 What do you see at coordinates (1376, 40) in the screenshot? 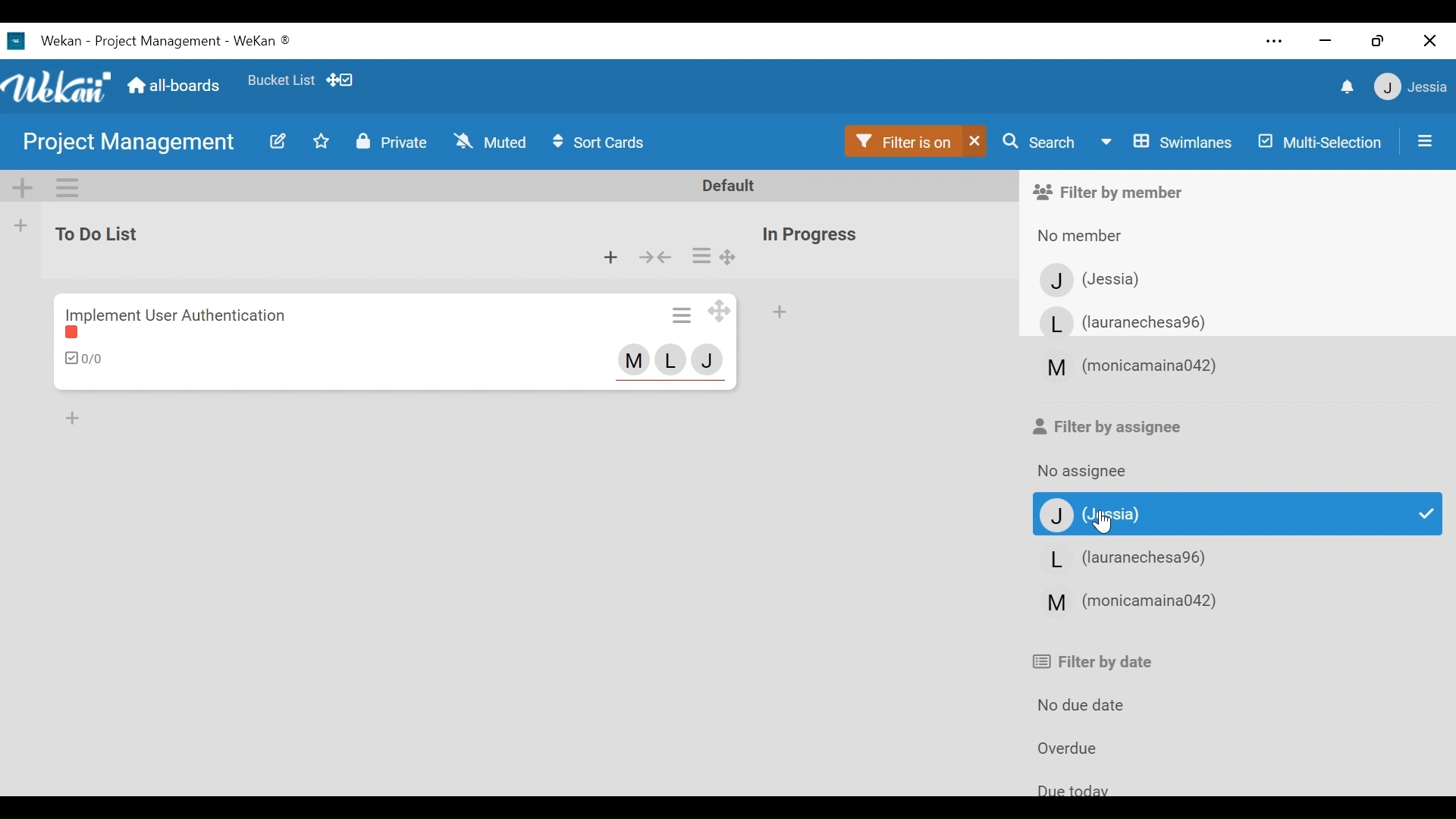
I see `Restore` at bounding box center [1376, 40].